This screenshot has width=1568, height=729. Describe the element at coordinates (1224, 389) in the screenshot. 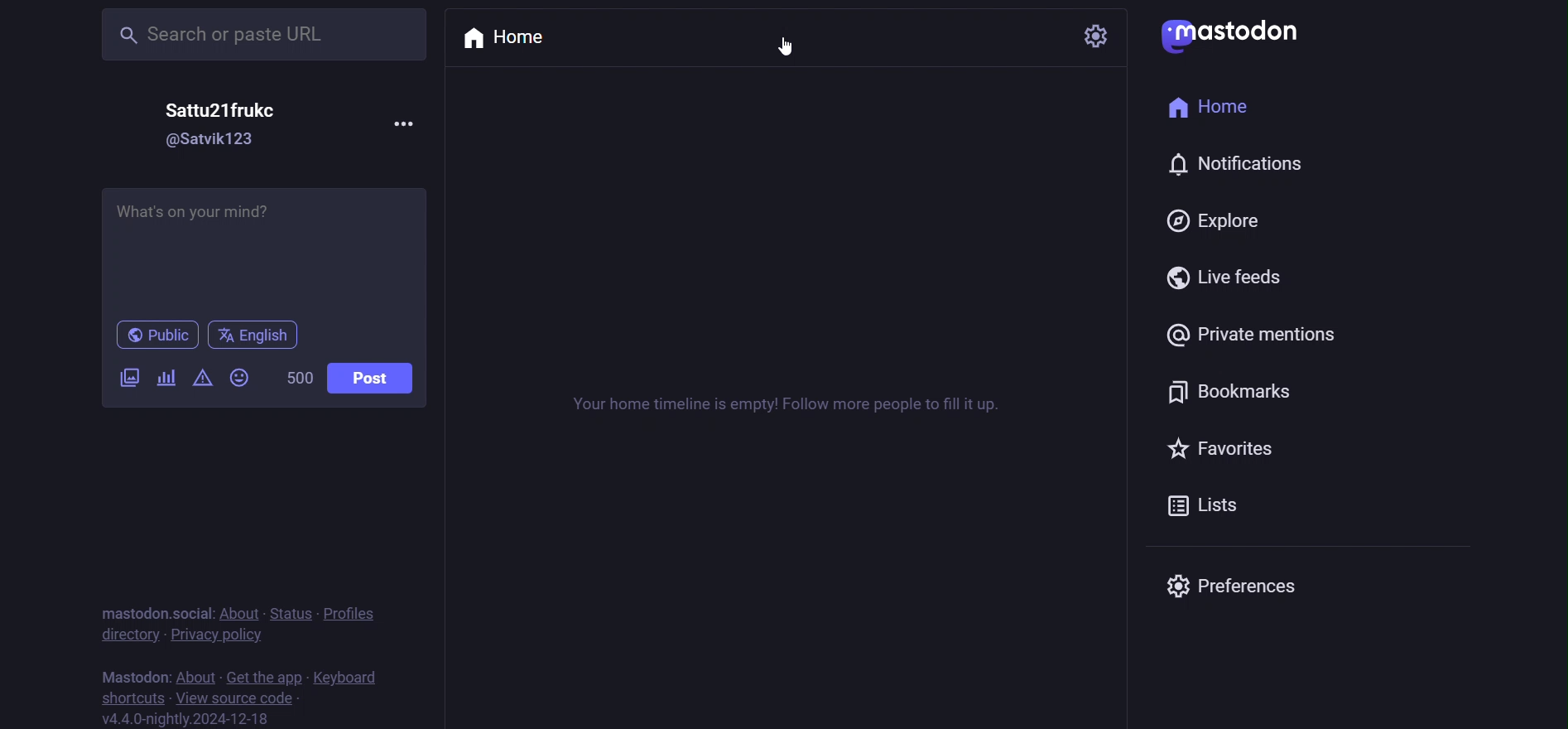

I see `bookmark` at that location.